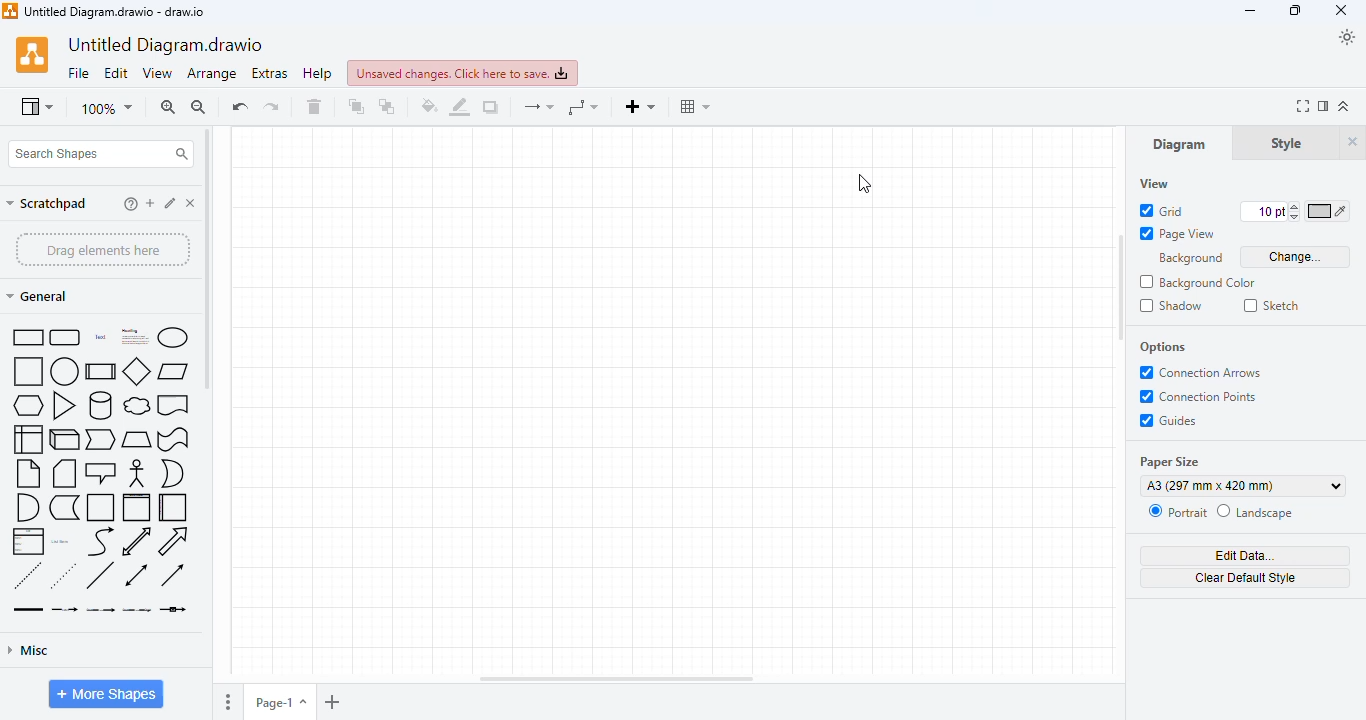 The image size is (1366, 720). I want to click on logo, so click(32, 55).